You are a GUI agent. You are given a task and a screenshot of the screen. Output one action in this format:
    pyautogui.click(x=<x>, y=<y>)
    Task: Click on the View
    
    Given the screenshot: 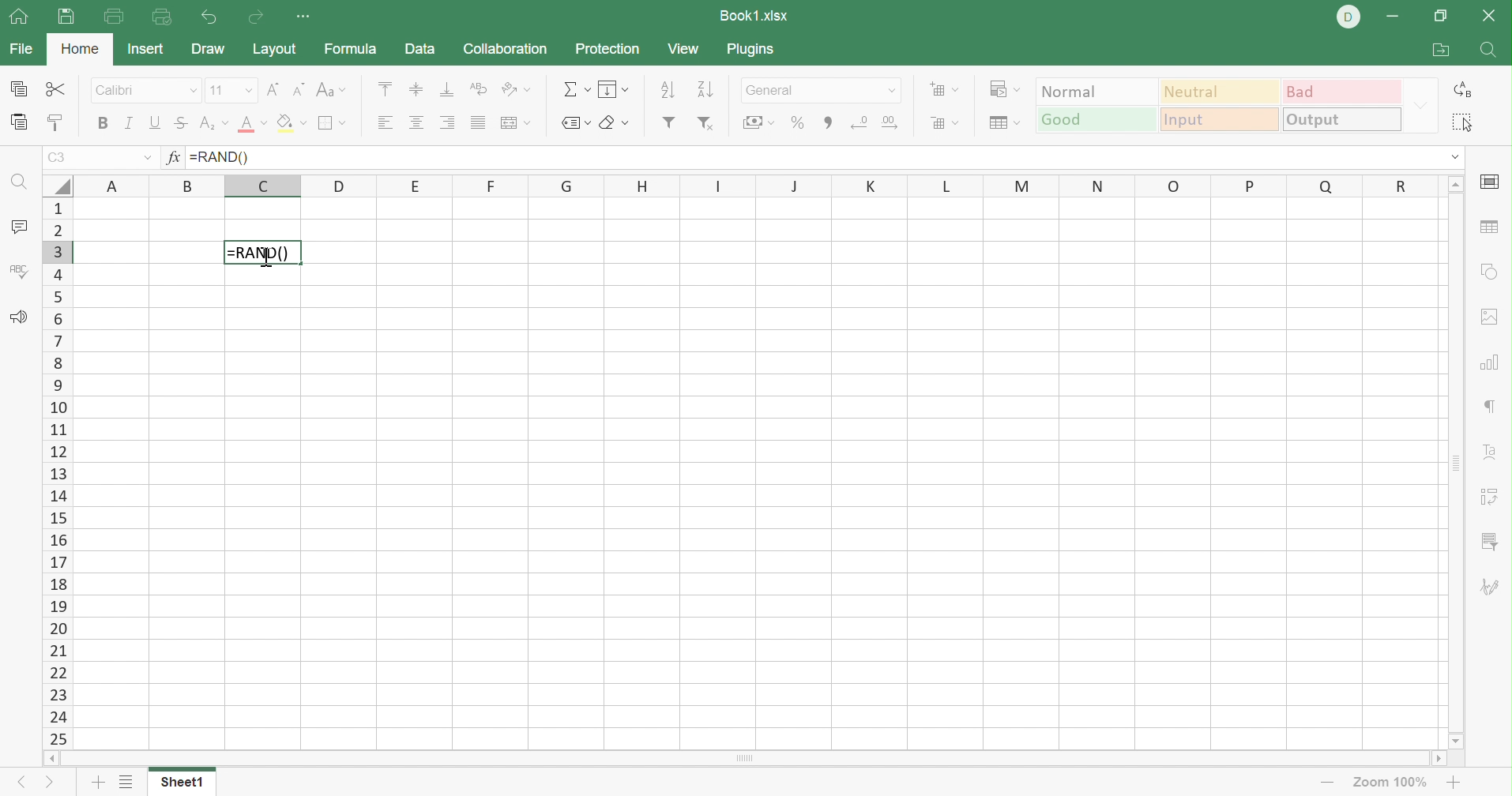 What is the action you would take?
    pyautogui.click(x=683, y=49)
    